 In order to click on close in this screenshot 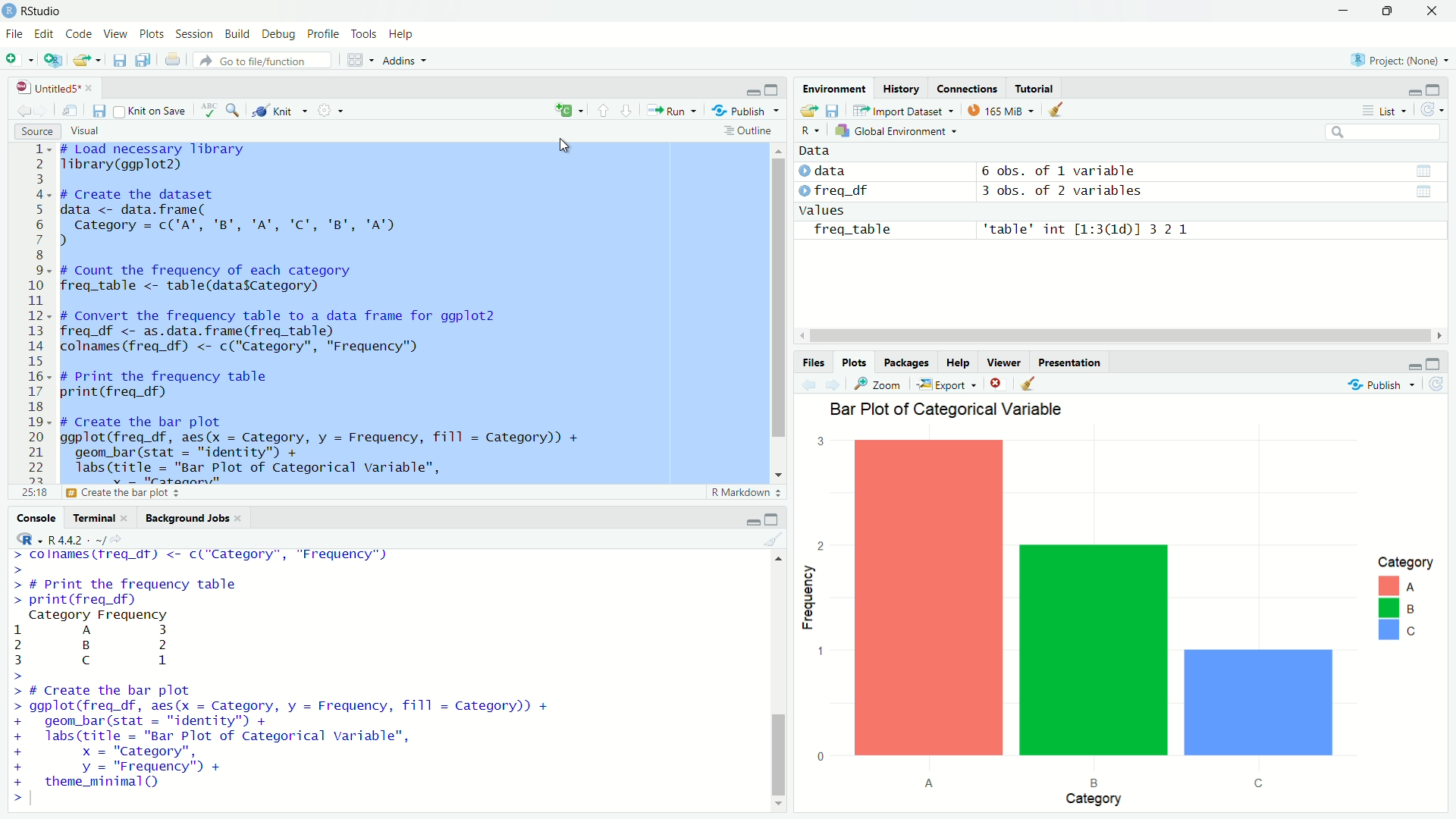, I will do `click(1435, 11)`.